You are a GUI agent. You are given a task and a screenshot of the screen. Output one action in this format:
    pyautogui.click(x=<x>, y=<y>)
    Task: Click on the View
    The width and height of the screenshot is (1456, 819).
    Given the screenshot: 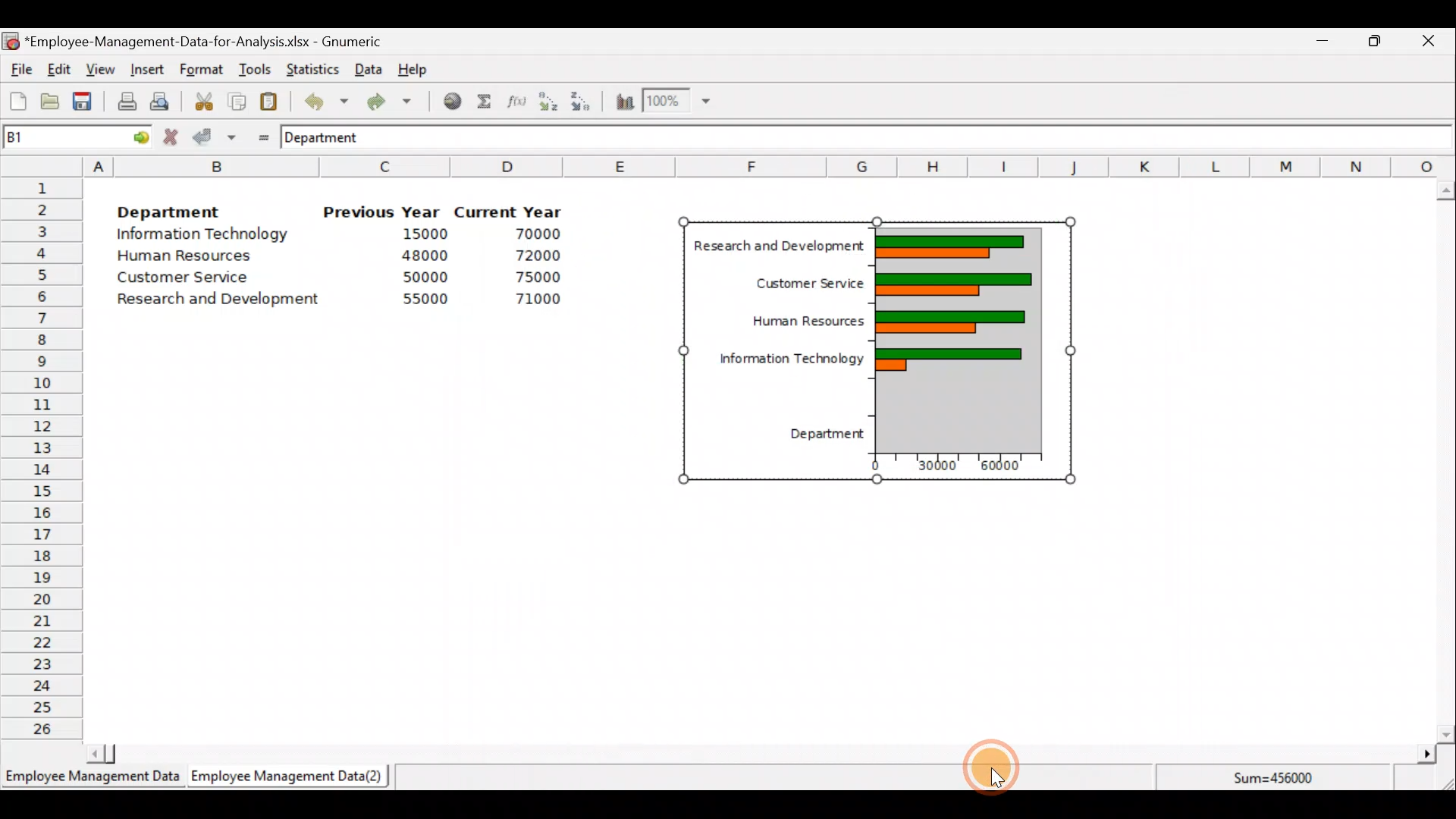 What is the action you would take?
    pyautogui.click(x=99, y=70)
    